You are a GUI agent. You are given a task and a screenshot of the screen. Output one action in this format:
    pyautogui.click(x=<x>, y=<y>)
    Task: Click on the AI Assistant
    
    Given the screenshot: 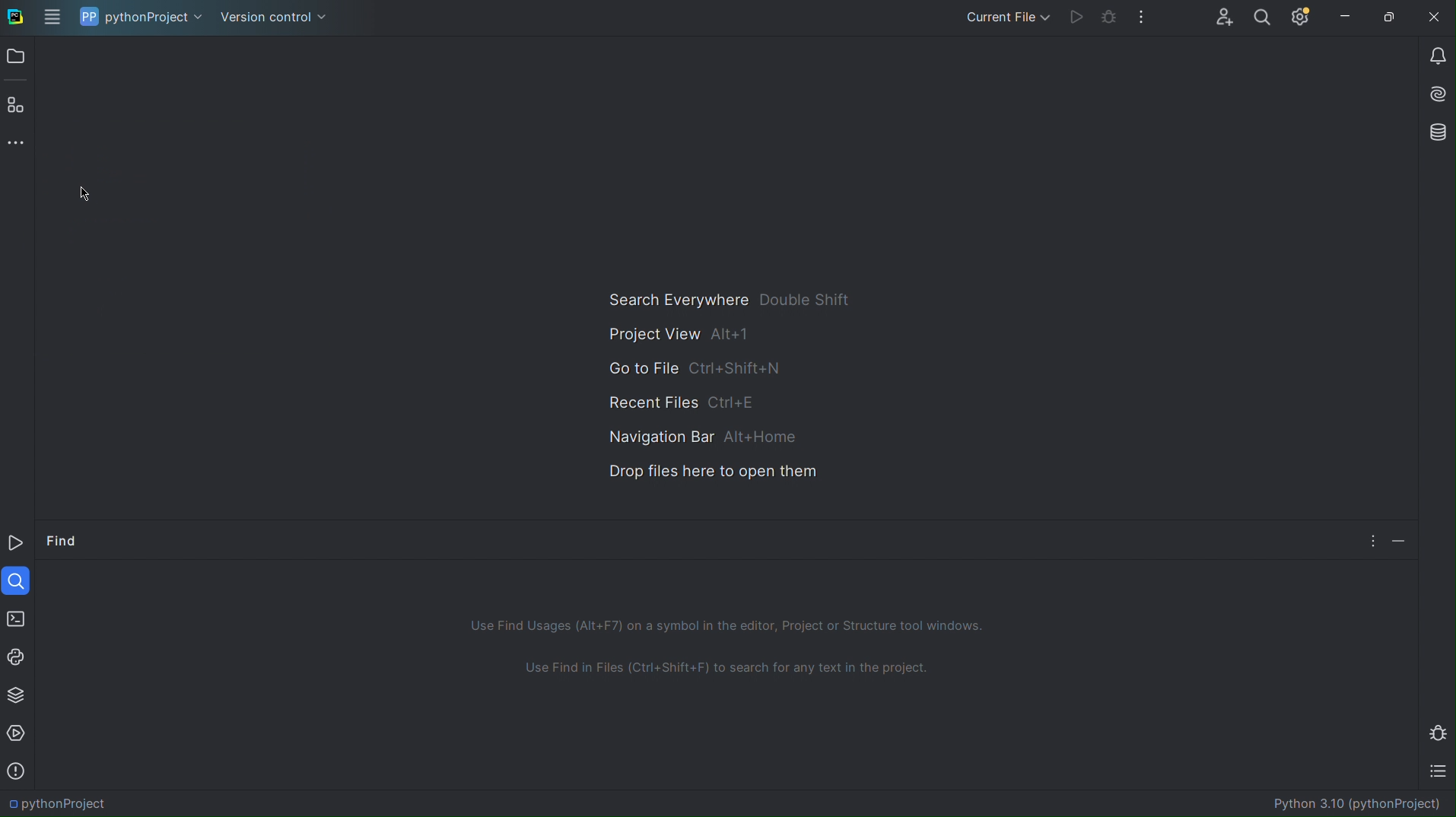 What is the action you would take?
    pyautogui.click(x=1435, y=94)
    